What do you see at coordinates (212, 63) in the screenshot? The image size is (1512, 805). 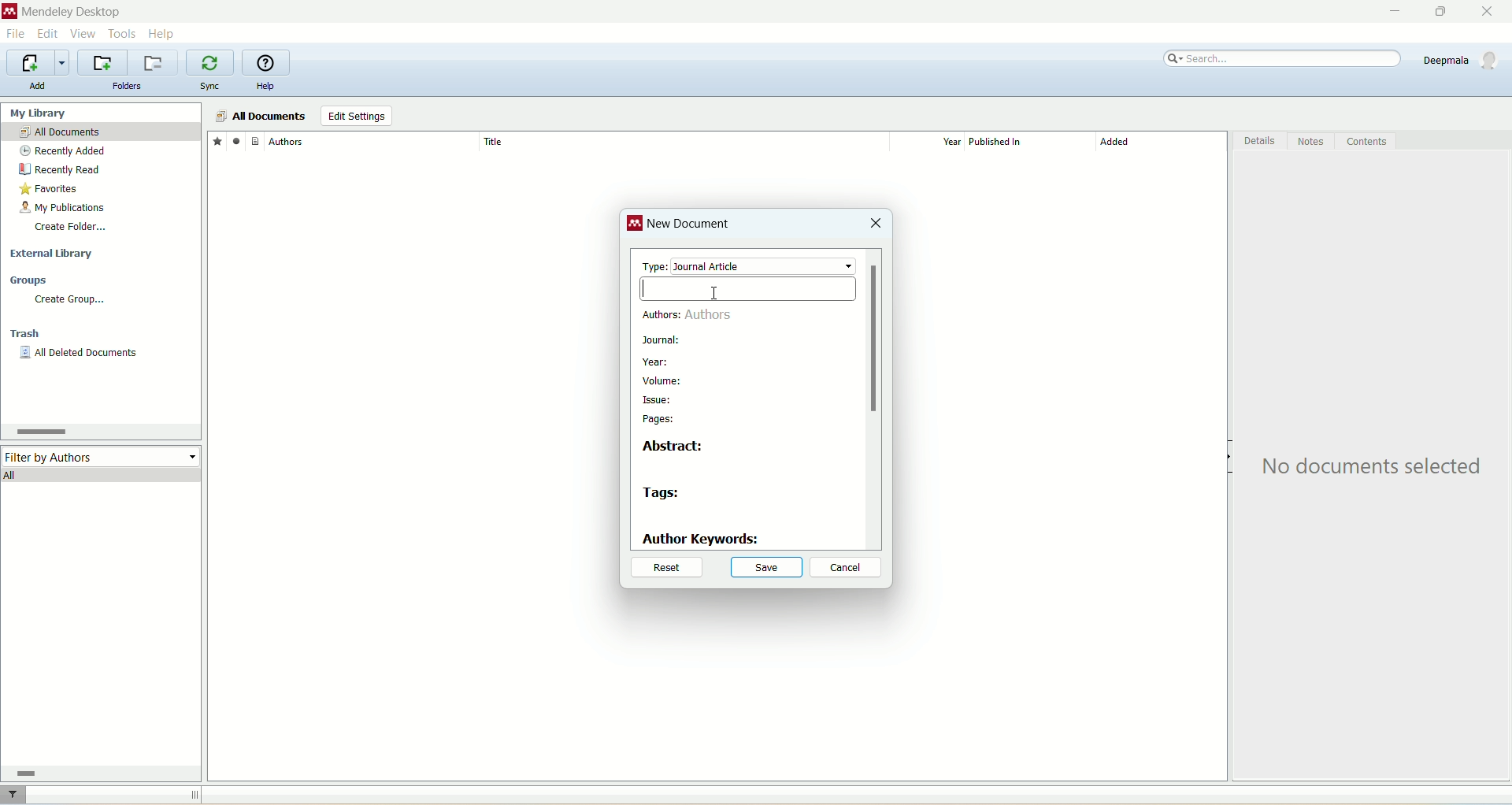 I see `synchronize library with mendeley web` at bounding box center [212, 63].